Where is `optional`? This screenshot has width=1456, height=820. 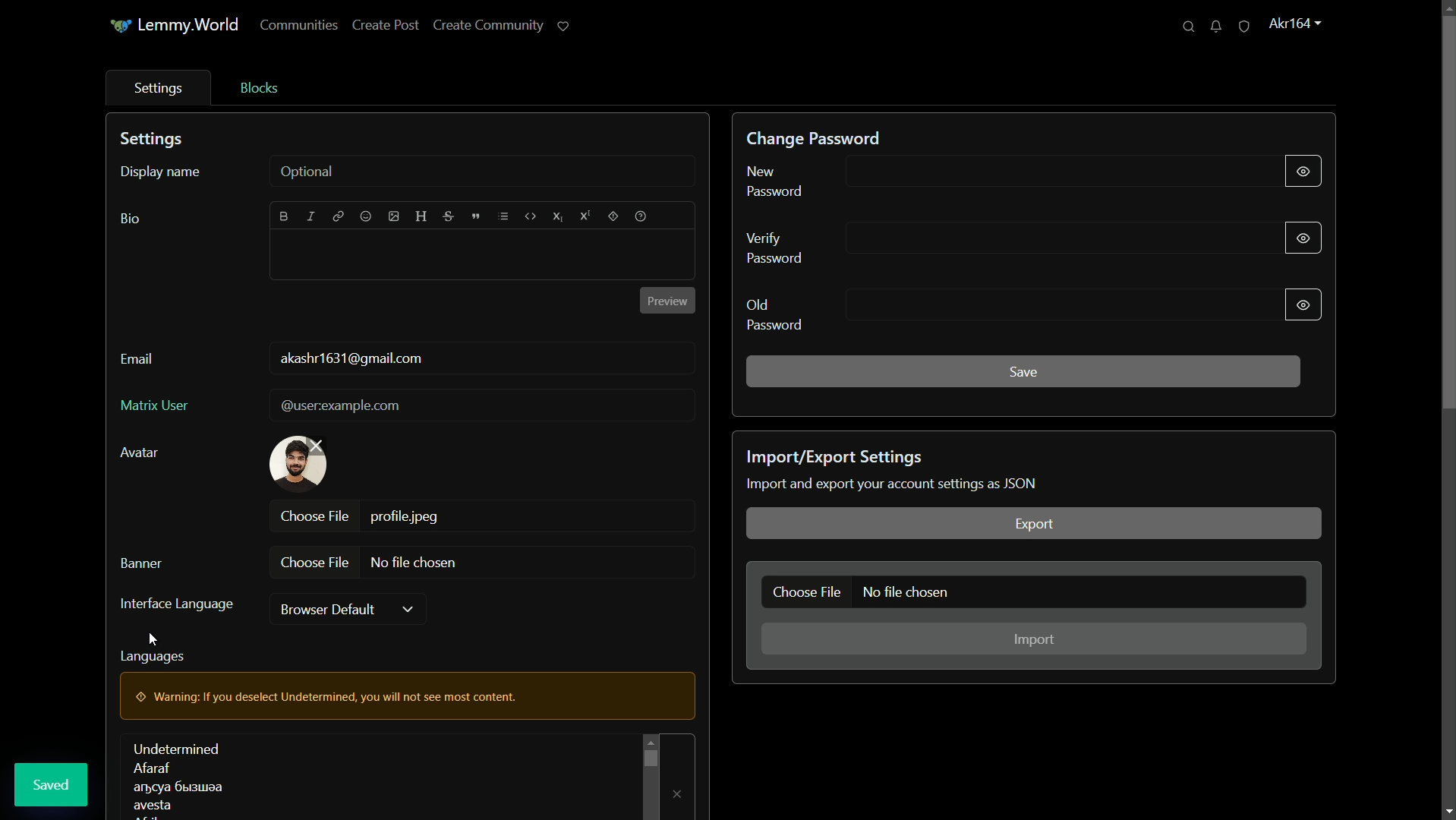 optional is located at coordinates (309, 172).